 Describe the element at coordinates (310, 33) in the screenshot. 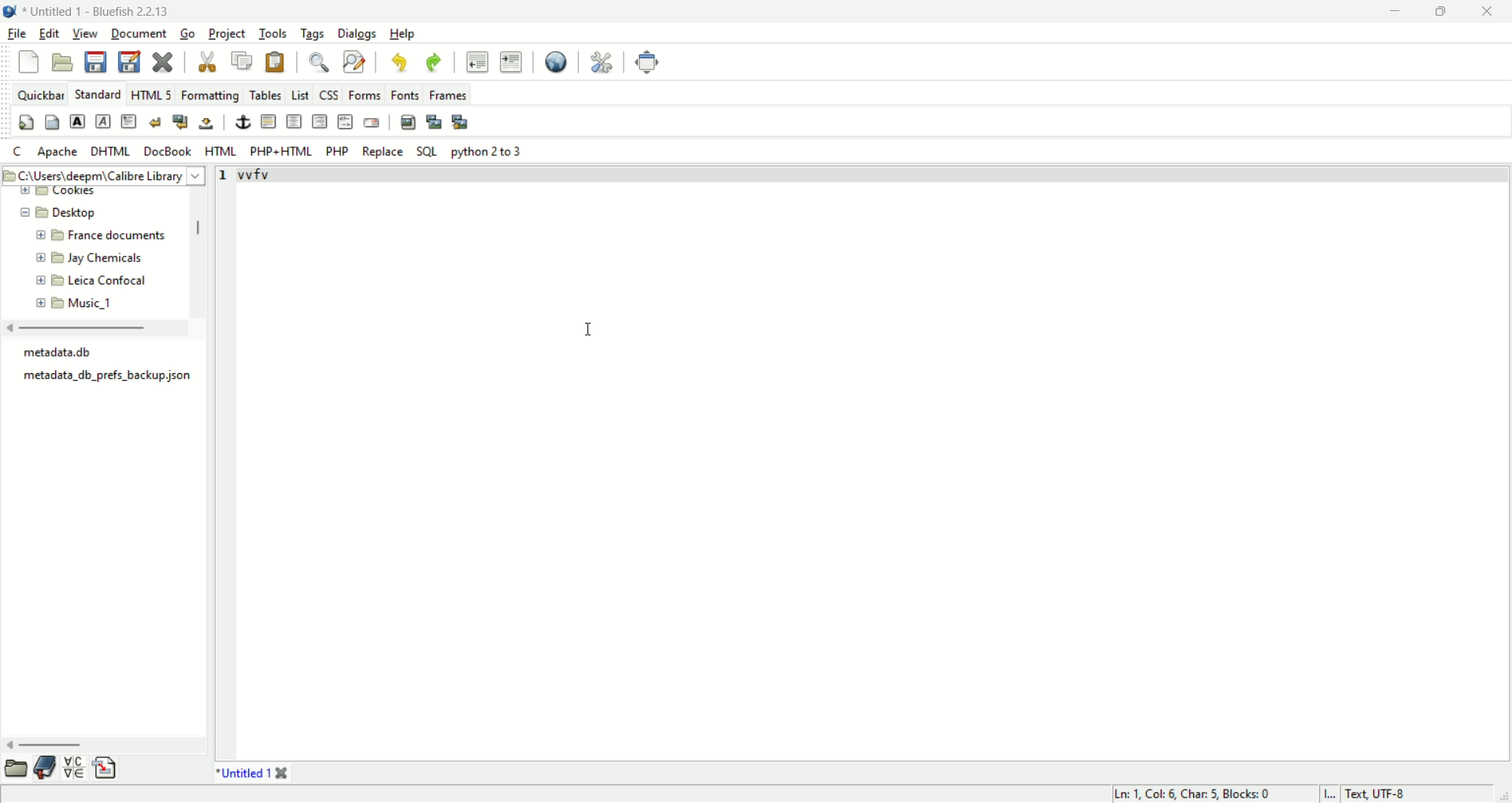

I see `tags` at that location.